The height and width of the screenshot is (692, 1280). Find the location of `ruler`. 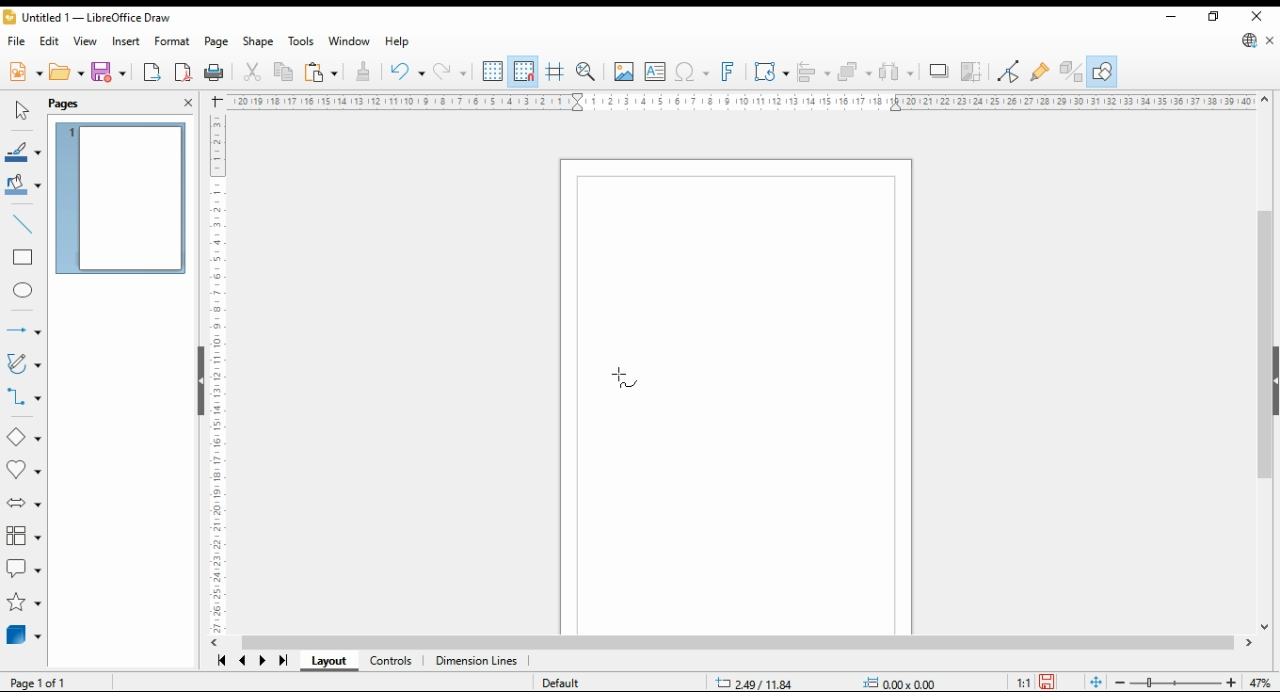

ruler is located at coordinates (739, 101).